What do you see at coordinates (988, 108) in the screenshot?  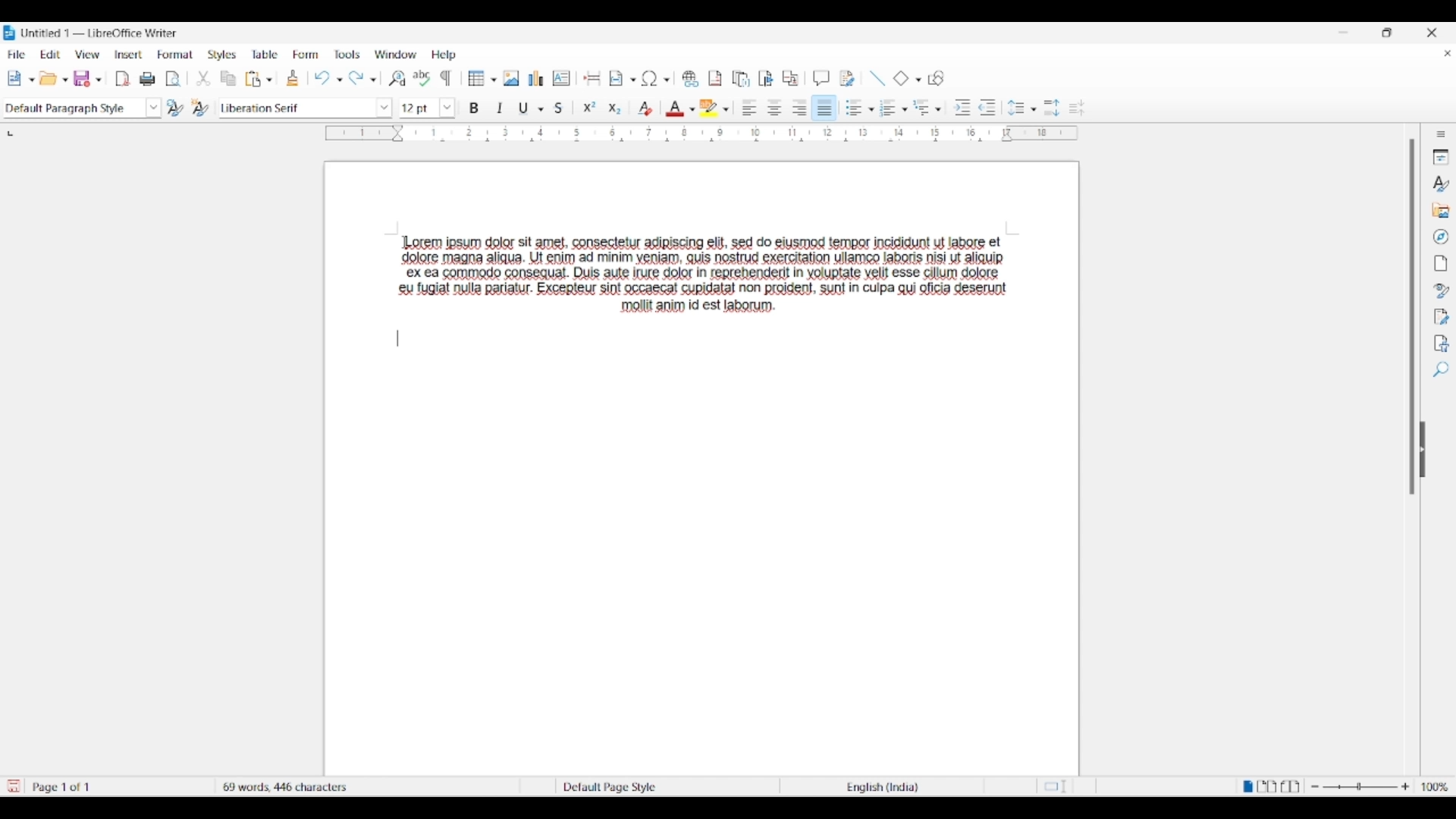 I see `Decrease indent` at bounding box center [988, 108].